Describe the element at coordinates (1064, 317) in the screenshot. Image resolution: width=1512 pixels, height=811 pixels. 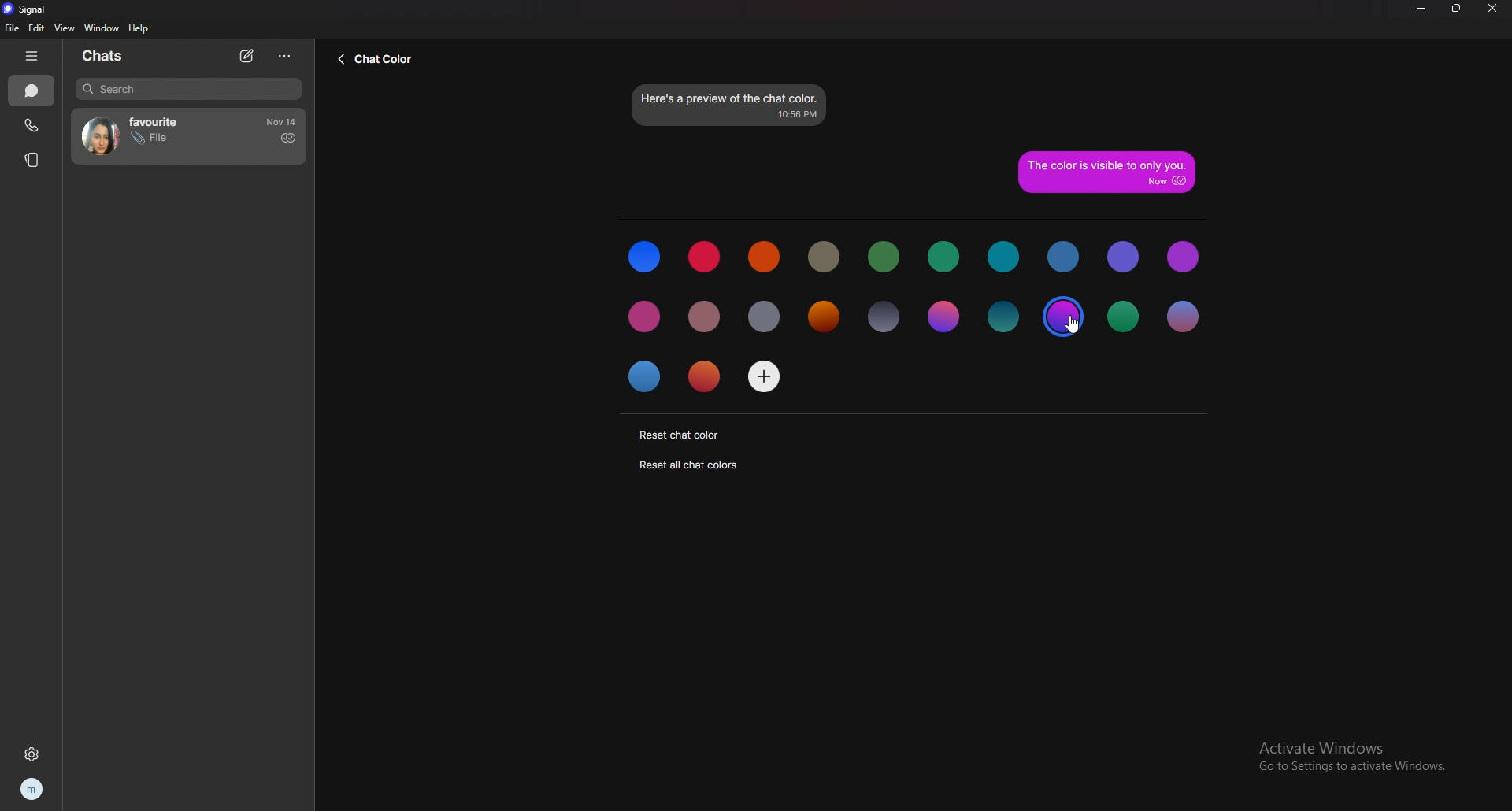
I see `selected color` at that location.